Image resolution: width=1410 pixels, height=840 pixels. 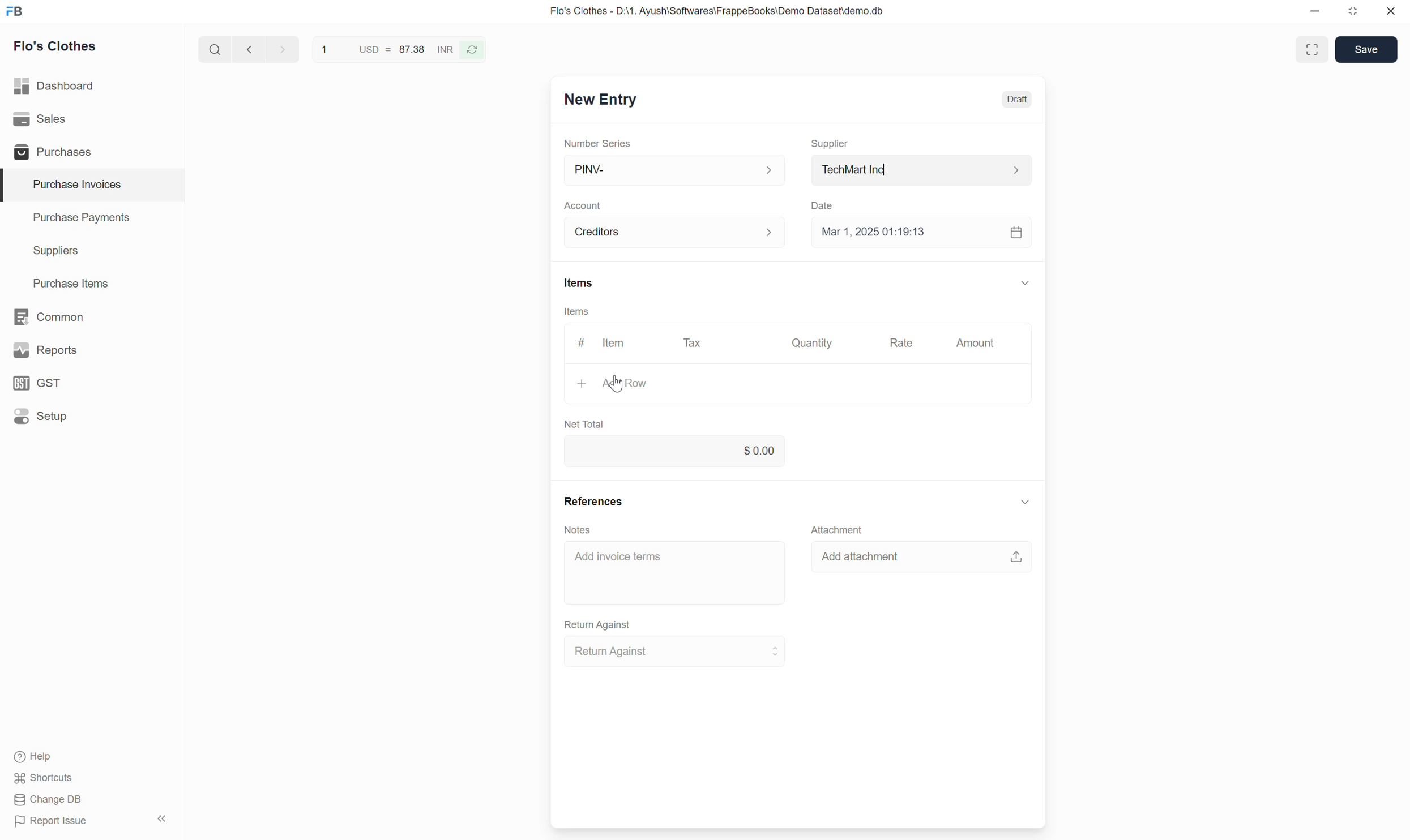 I want to click on + Add Row, so click(x=613, y=386).